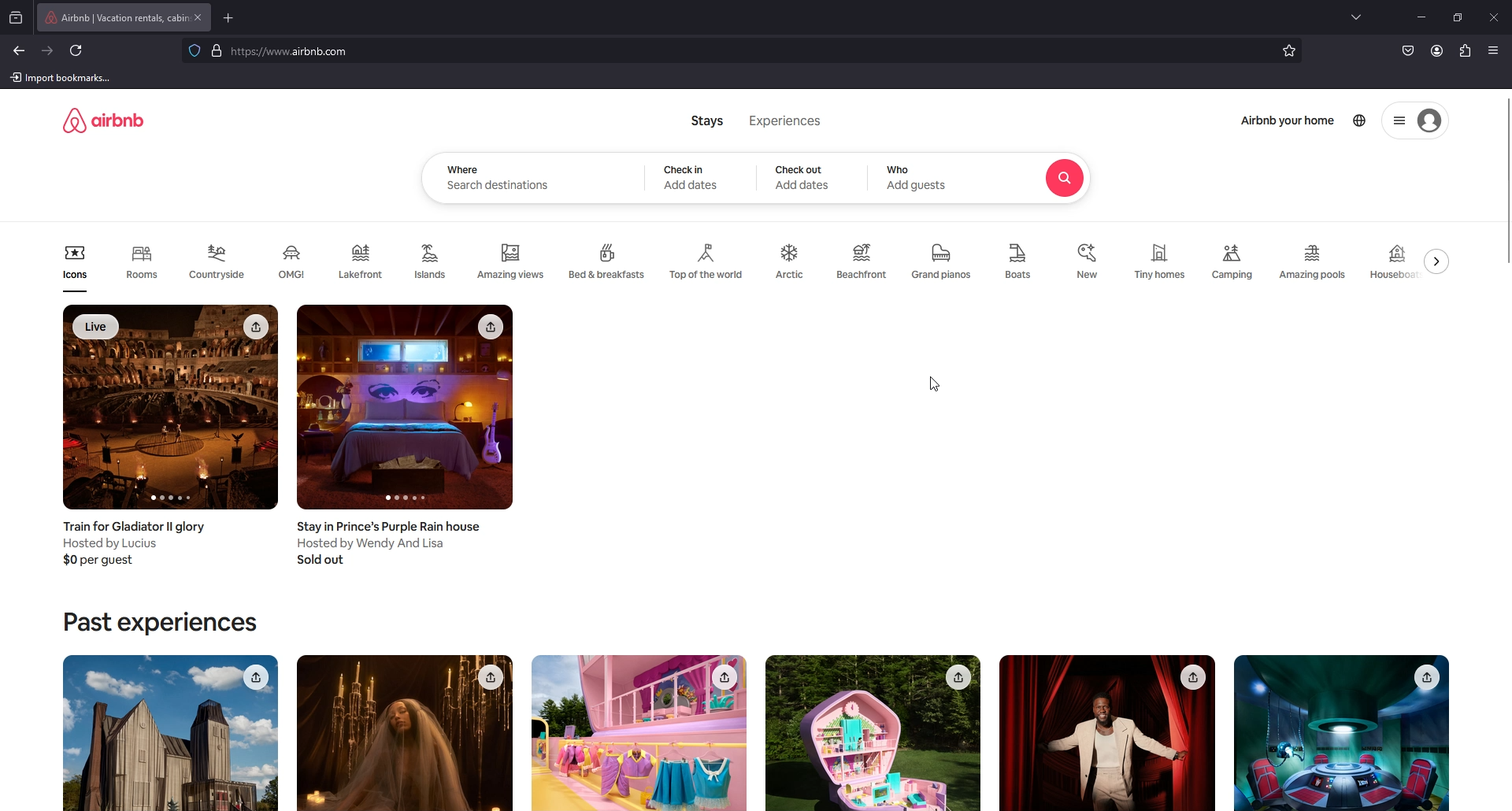 The width and height of the screenshot is (1512, 811). Describe the element at coordinates (78, 51) in the screenshot. I see `refresh` at that location.